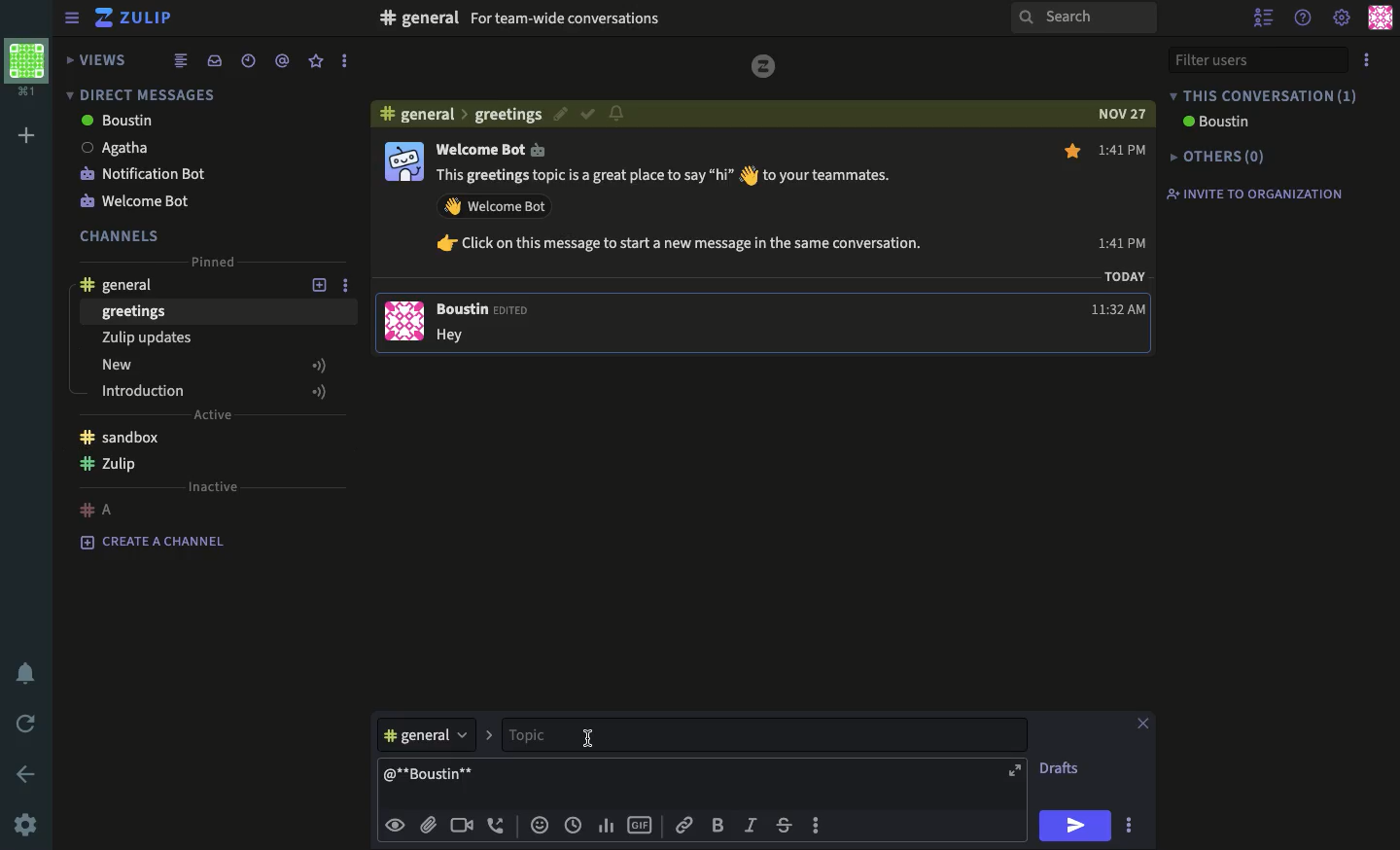 This screenshot has height=850, width=1400. I want to click on notification, so click(617, 114).